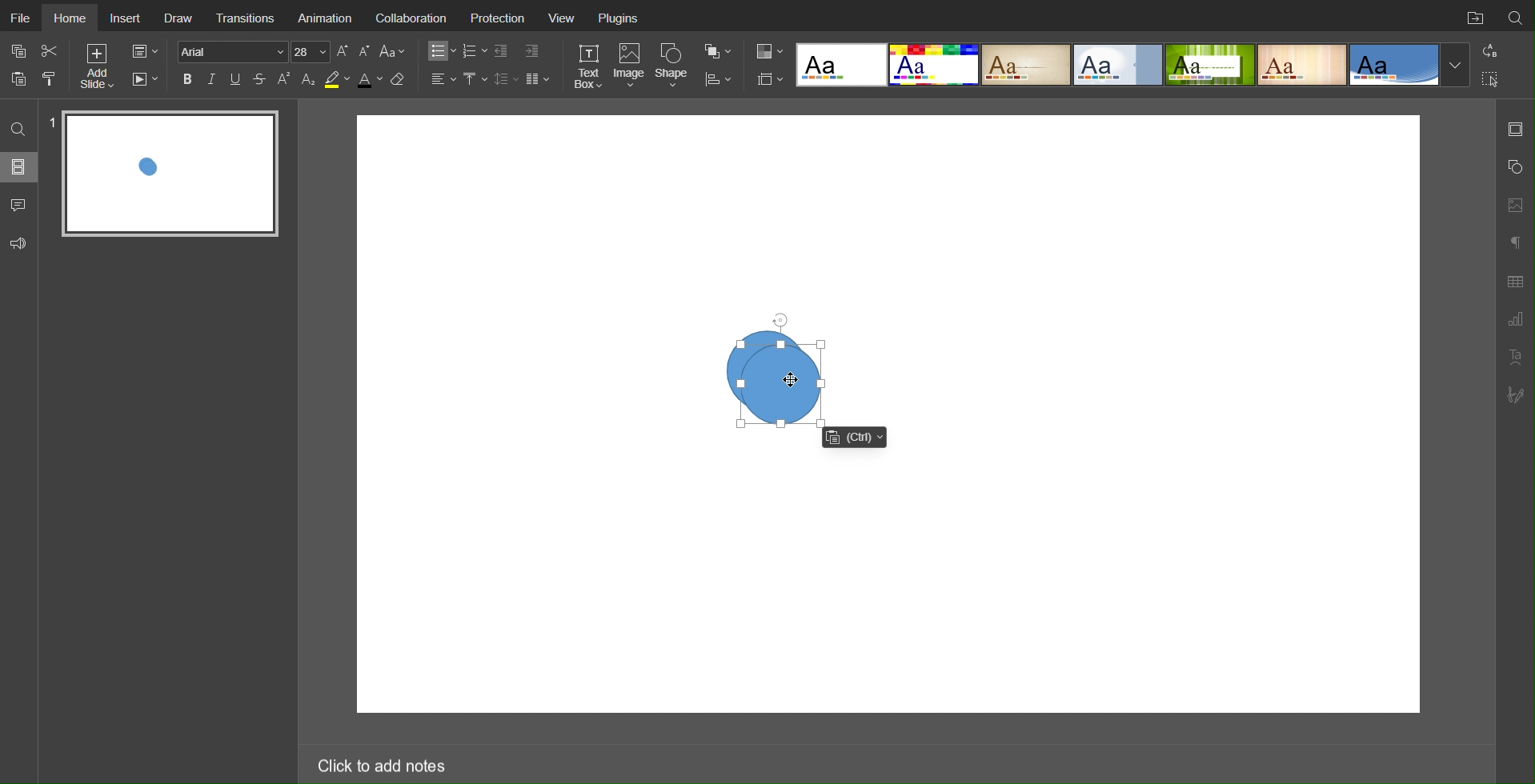 Image resolution: width=1535 pixels, height=784 pixels. I want to click on Signature , so click(1517, 395).